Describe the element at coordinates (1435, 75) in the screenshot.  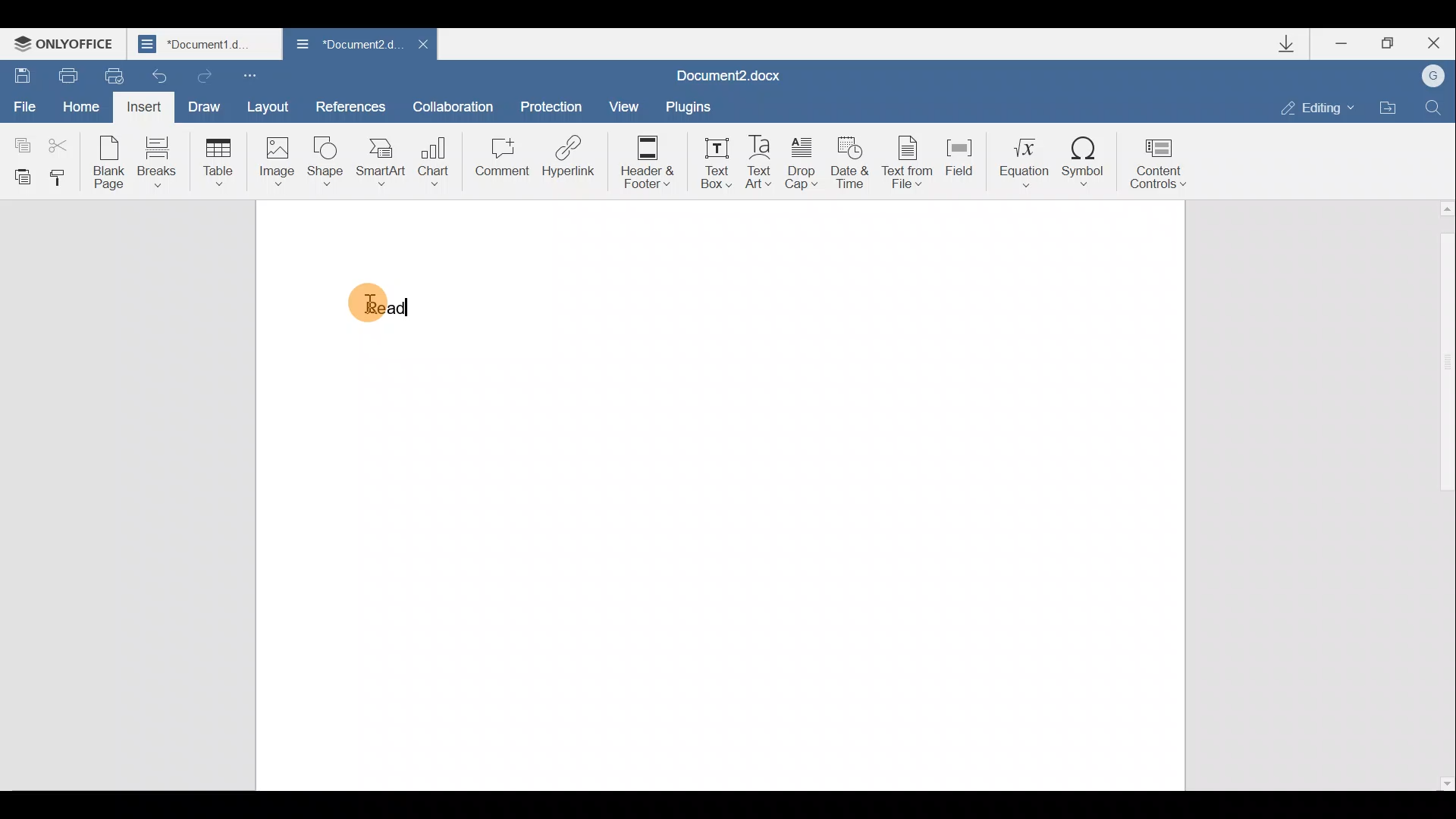
I see `G` at that location.